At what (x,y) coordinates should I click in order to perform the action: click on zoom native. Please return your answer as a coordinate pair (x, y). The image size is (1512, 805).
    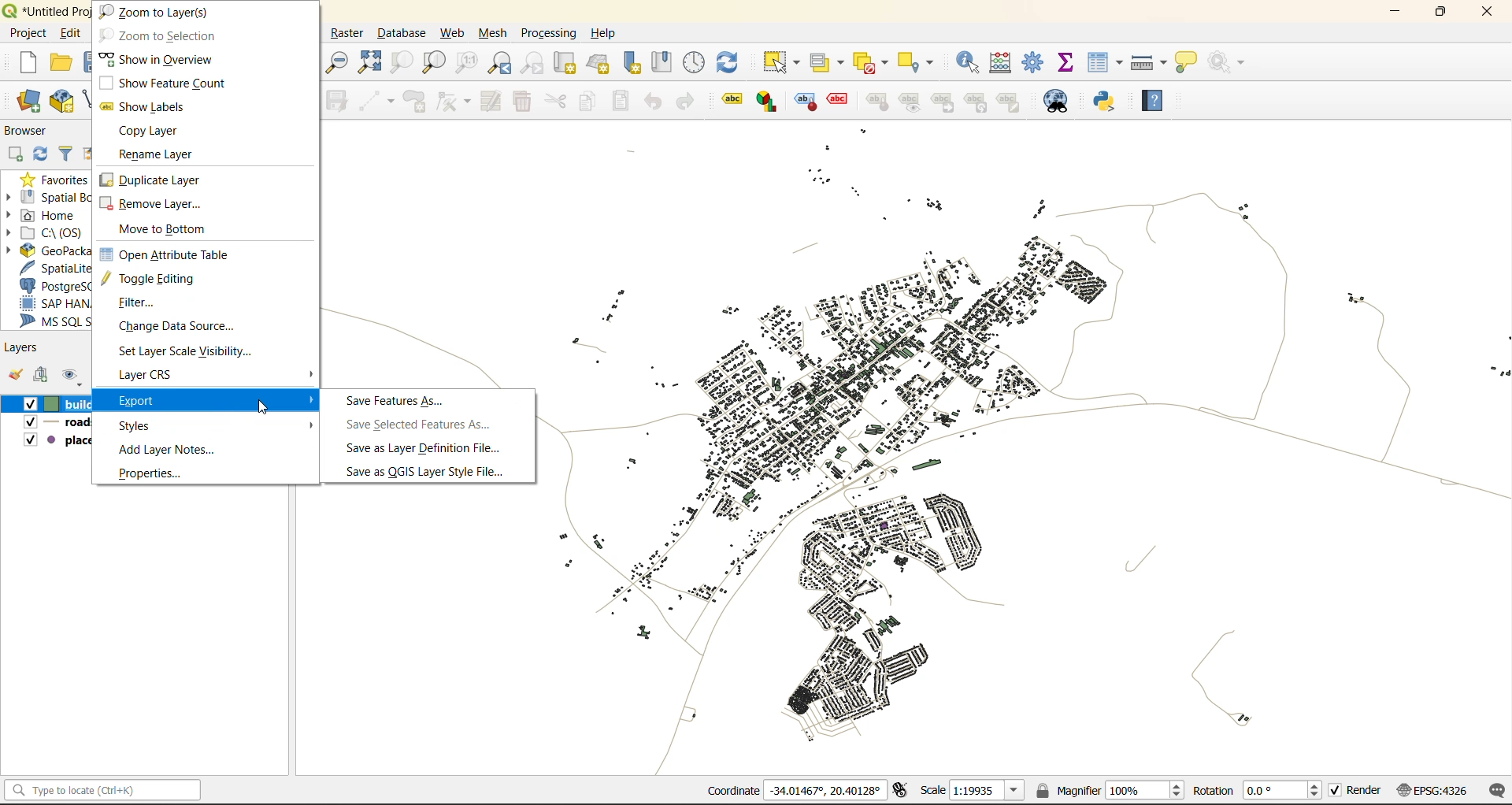
    Looking at the image, I should click on (469, 61).